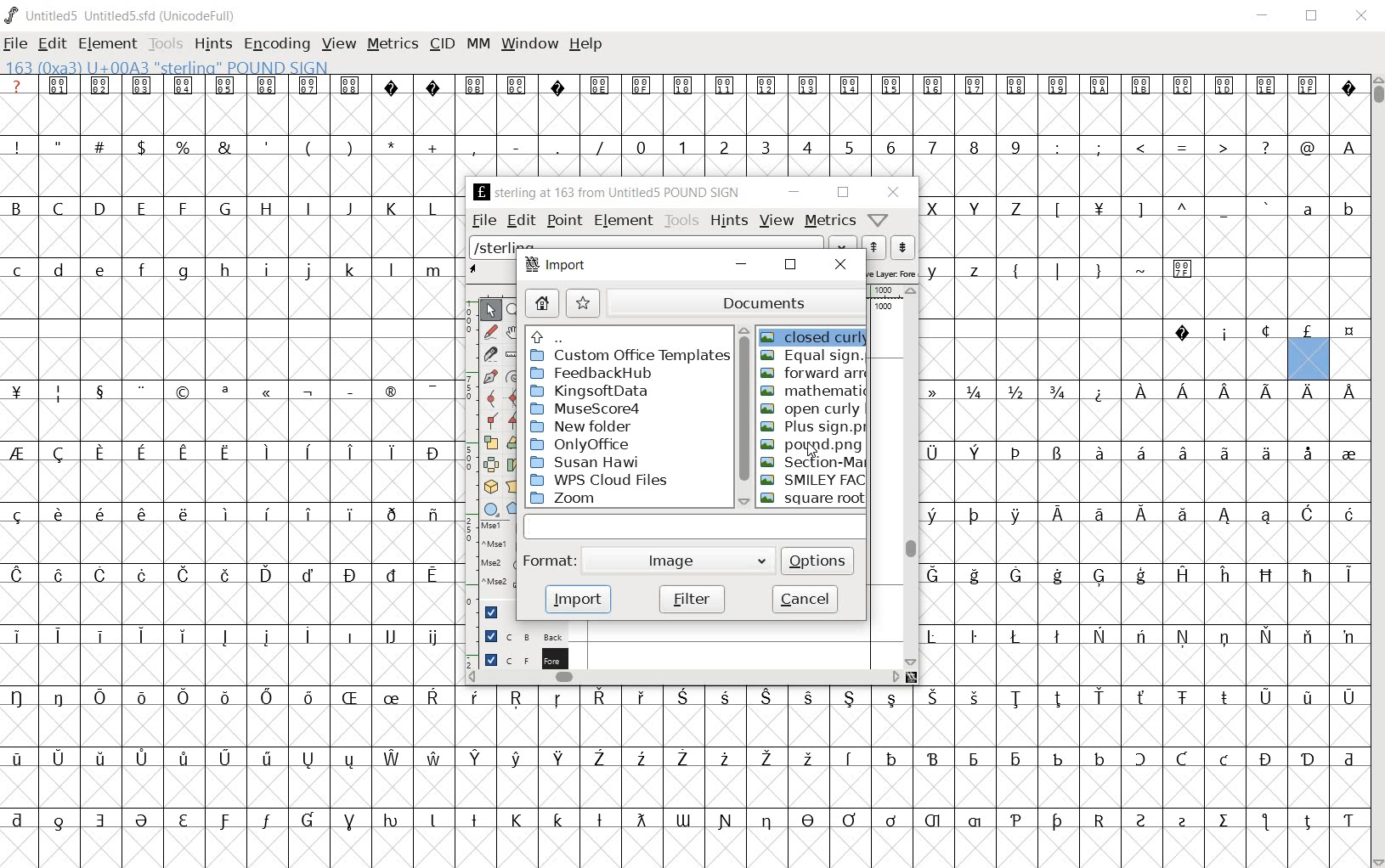  What do you see at coordinates (1056, 758) in the screenshot?
I see `Symbol` at bounding box center [1056, 758].